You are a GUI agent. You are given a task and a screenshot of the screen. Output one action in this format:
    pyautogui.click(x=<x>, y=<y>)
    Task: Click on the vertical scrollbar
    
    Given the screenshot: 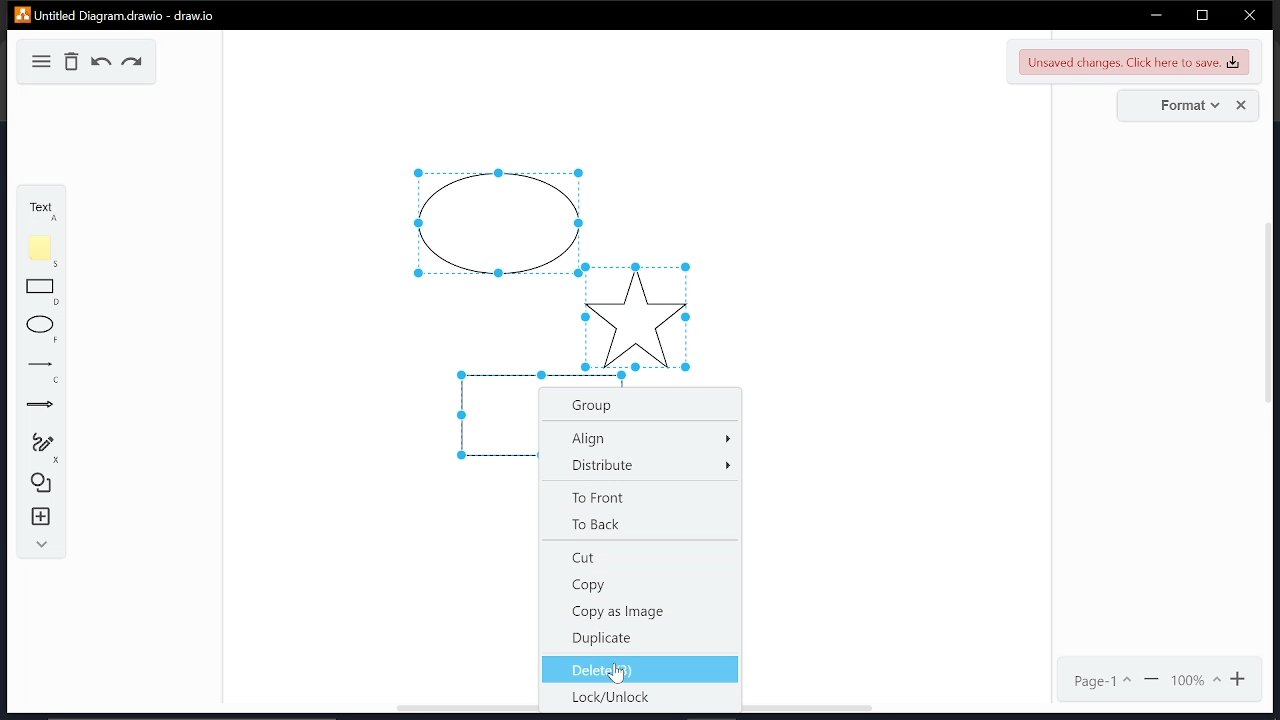 What is the action you would take?
    pyautogui.click(x=1272, y=320)
    